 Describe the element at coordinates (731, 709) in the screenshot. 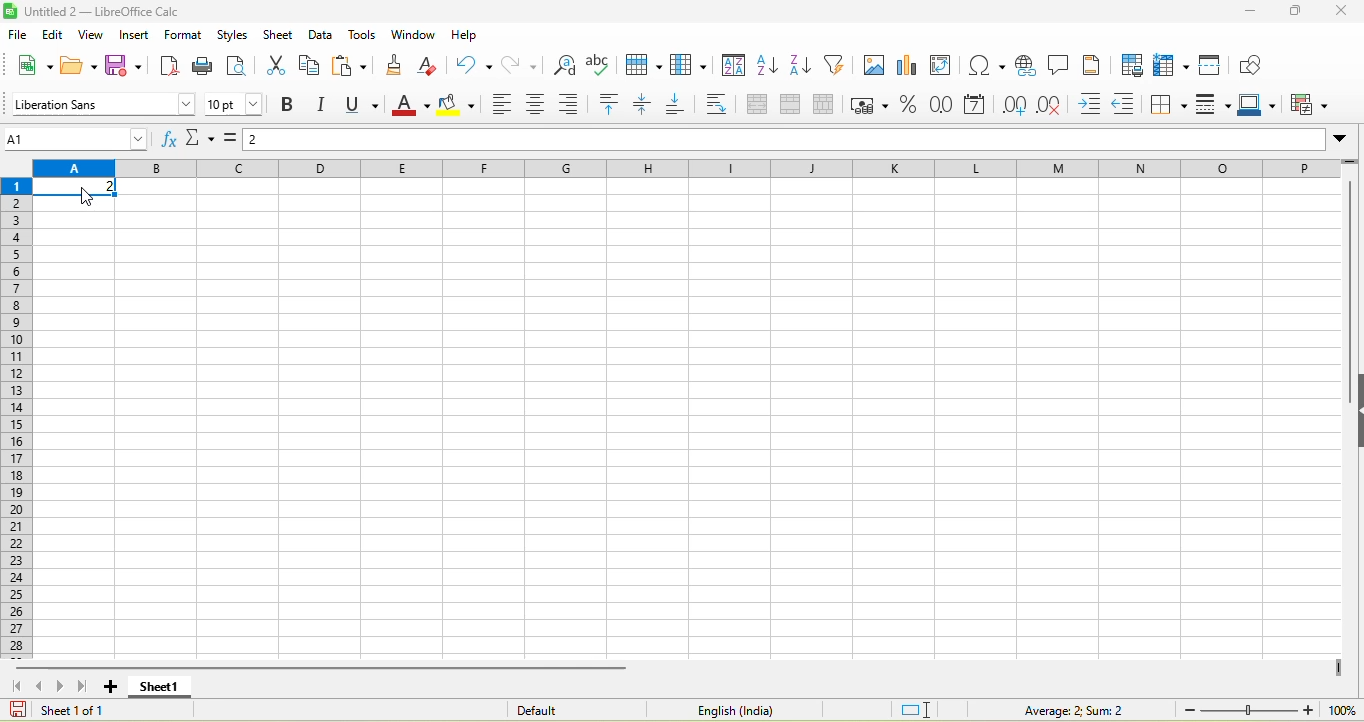

I see `text language` at that location.